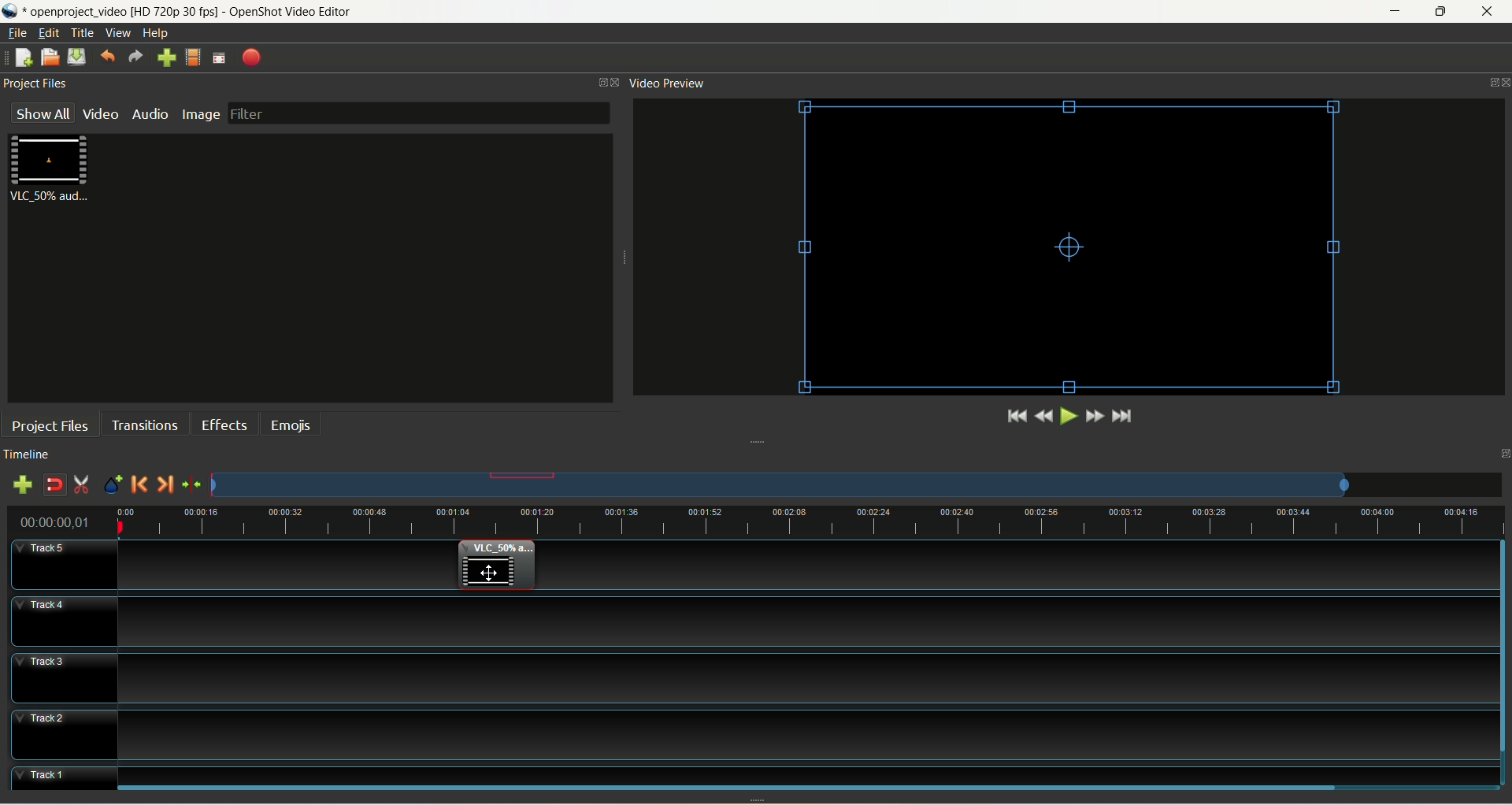 The height and width of the screenshot is (805, 1512). I want to click on disable snapping, so click(54, 484).